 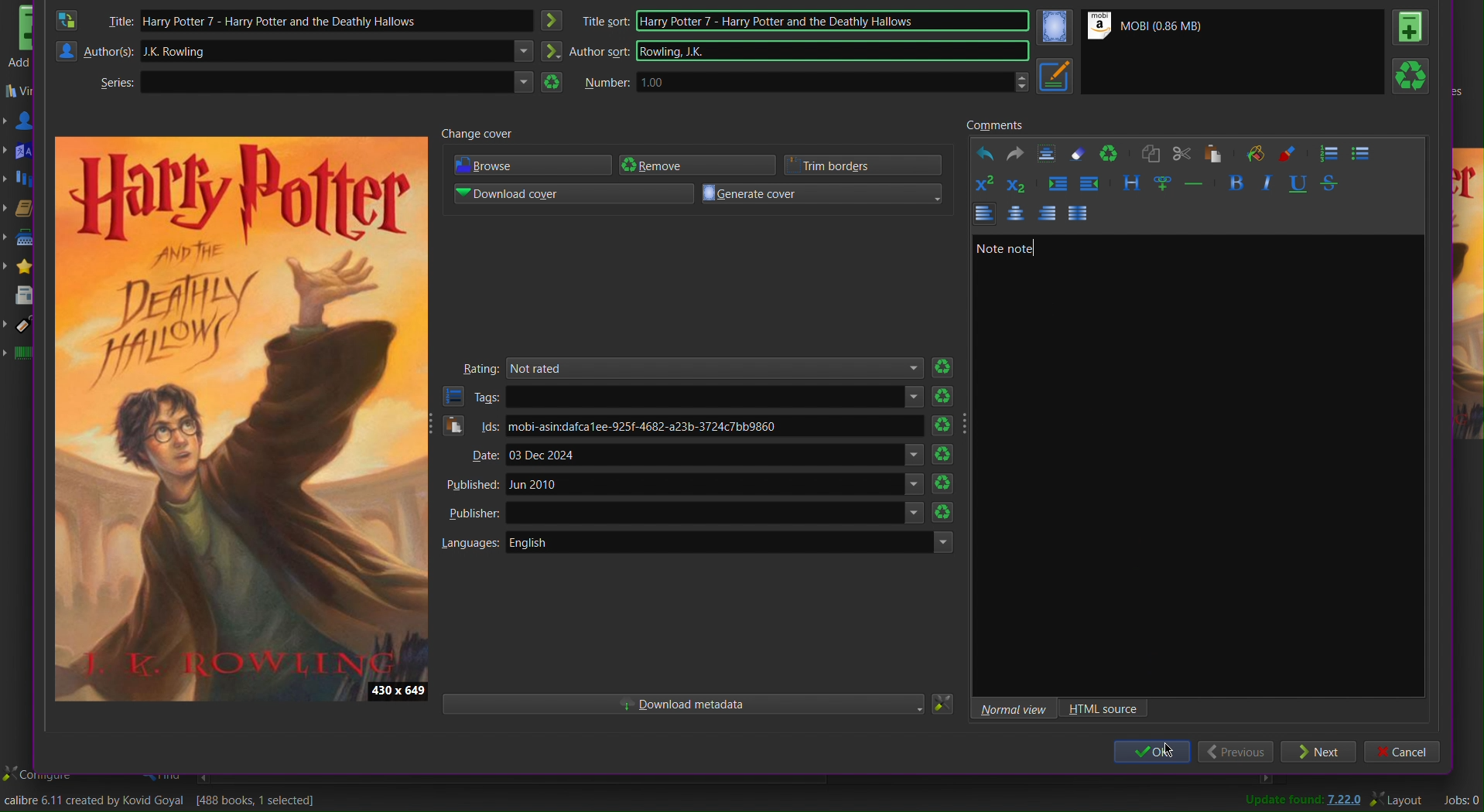 I want to click on Left Align, so click(x=983, y=213).